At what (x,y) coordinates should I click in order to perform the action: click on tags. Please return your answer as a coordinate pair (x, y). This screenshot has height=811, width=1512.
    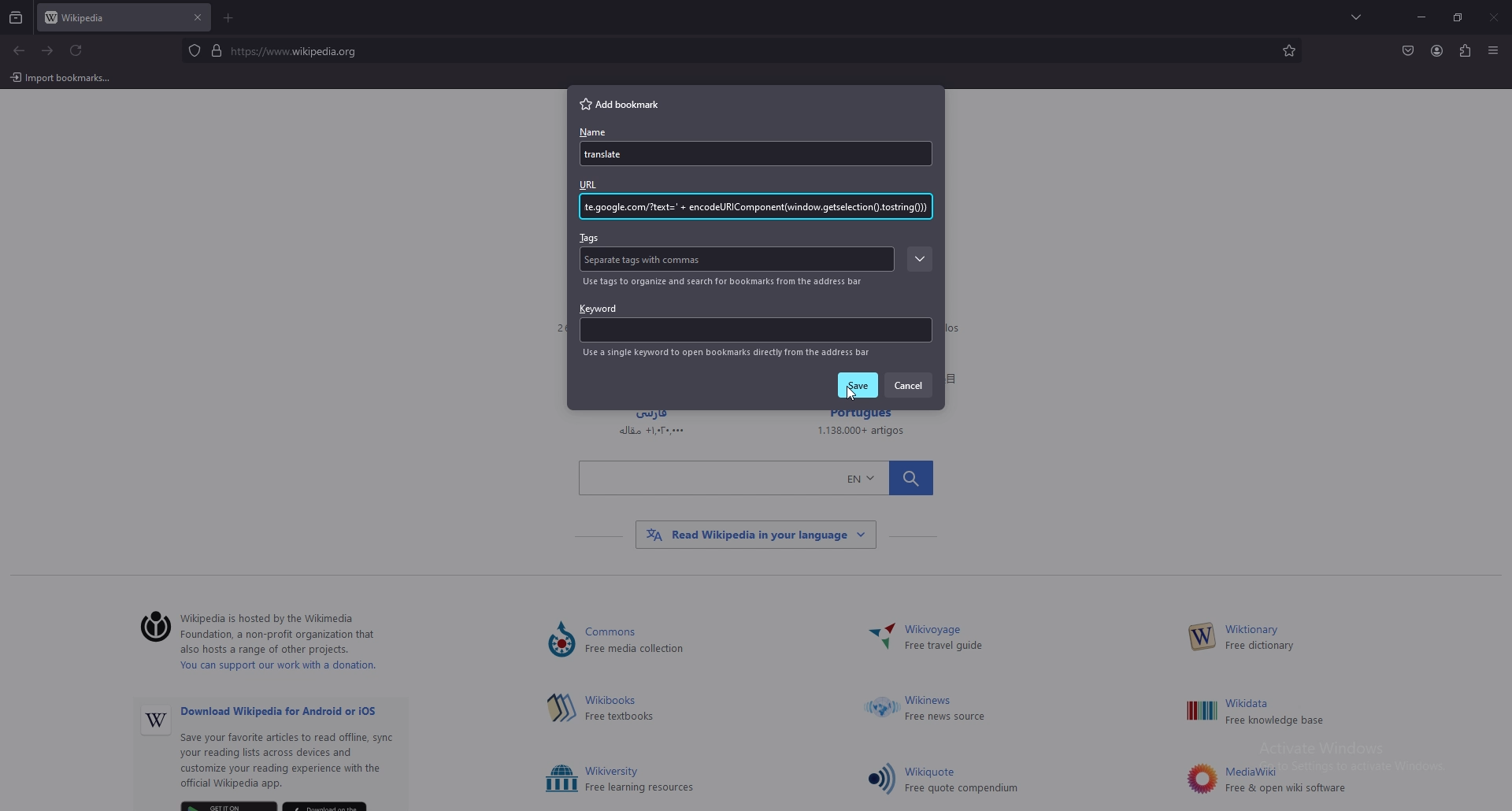
    Looking at the image, I should click on (593, 237).